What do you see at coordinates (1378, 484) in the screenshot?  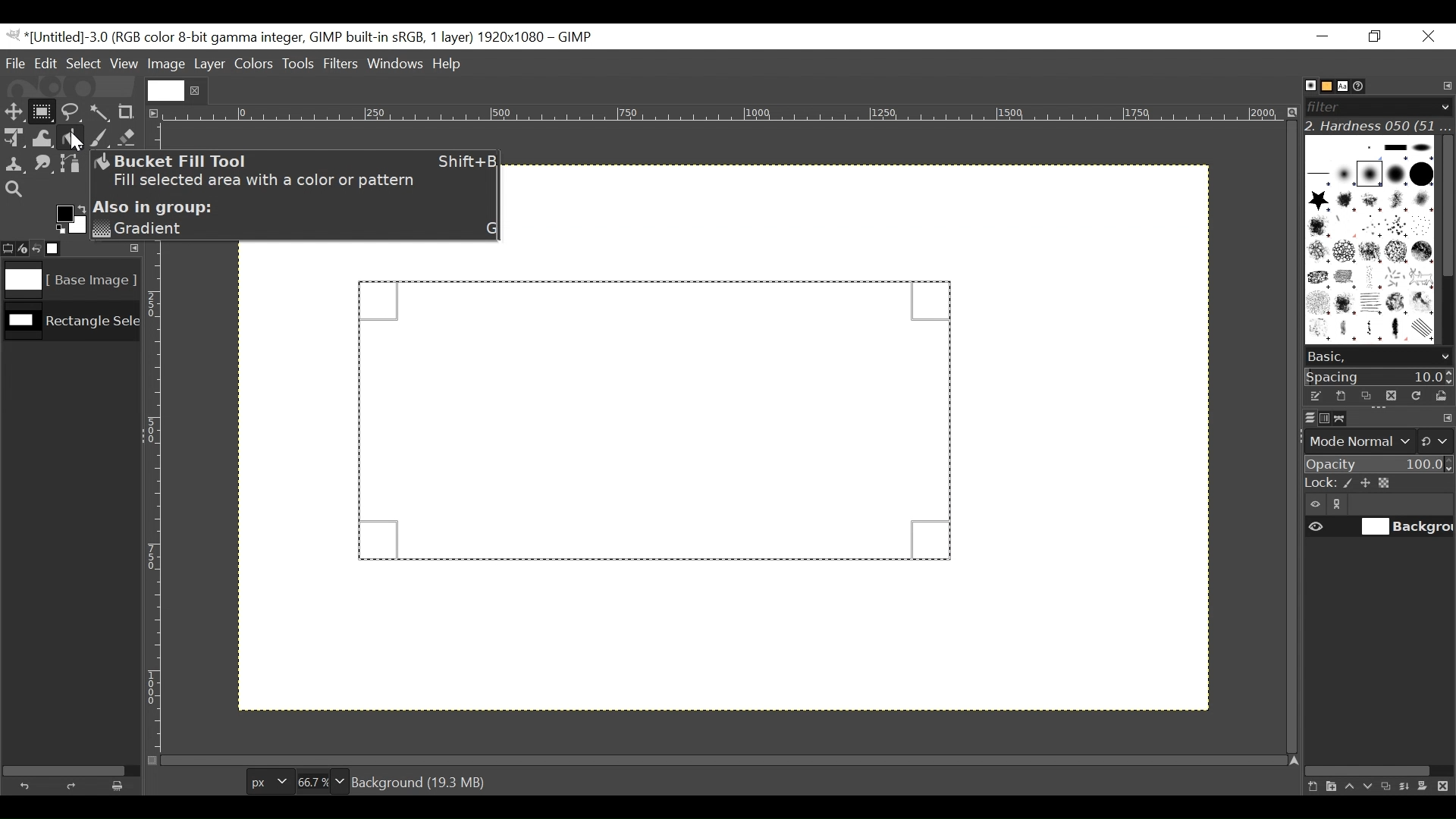 I see `Lock` at bounding box center [1378, 484].